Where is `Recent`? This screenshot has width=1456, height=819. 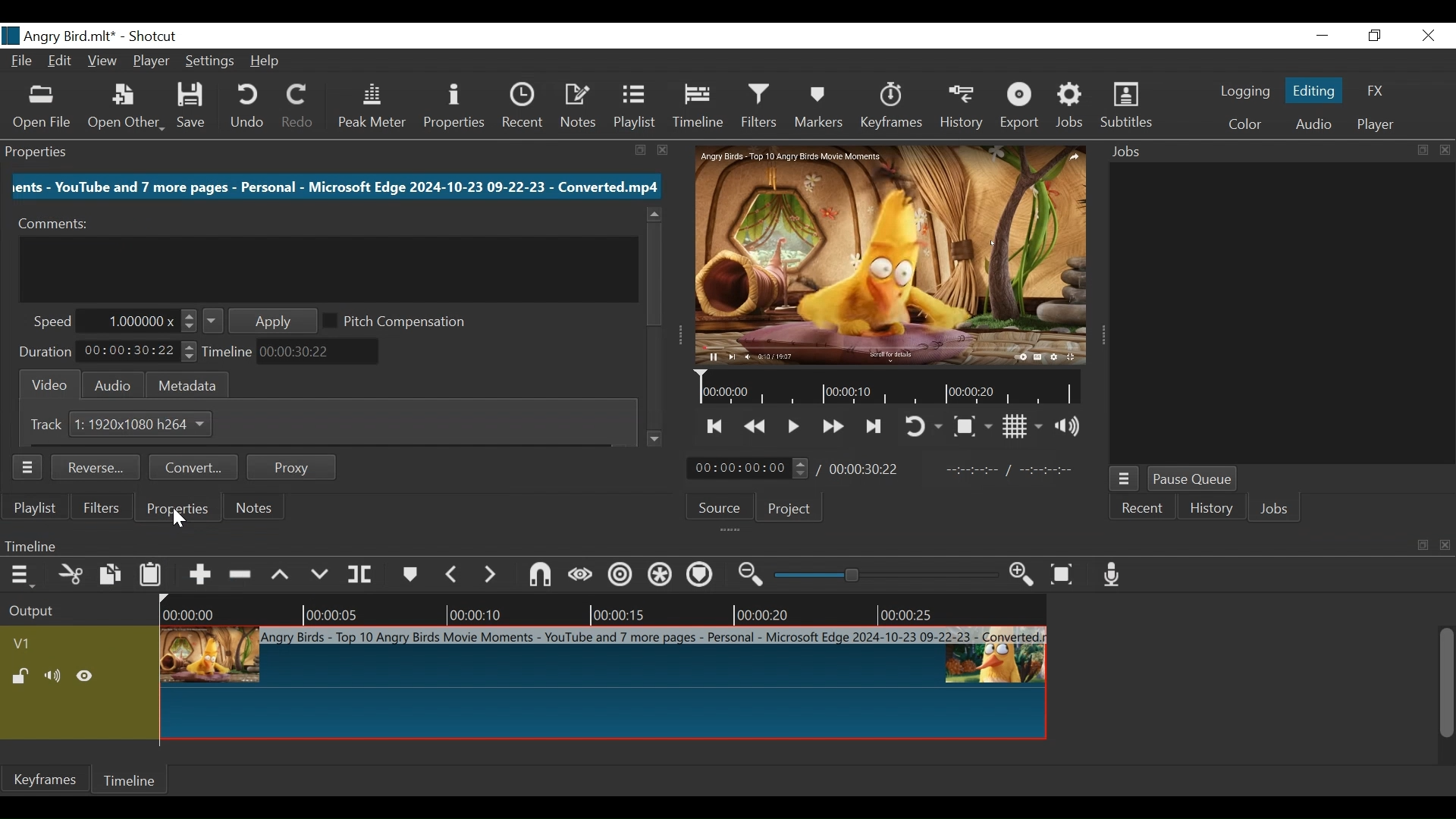 Recent is located at coordinates (1143, 507).